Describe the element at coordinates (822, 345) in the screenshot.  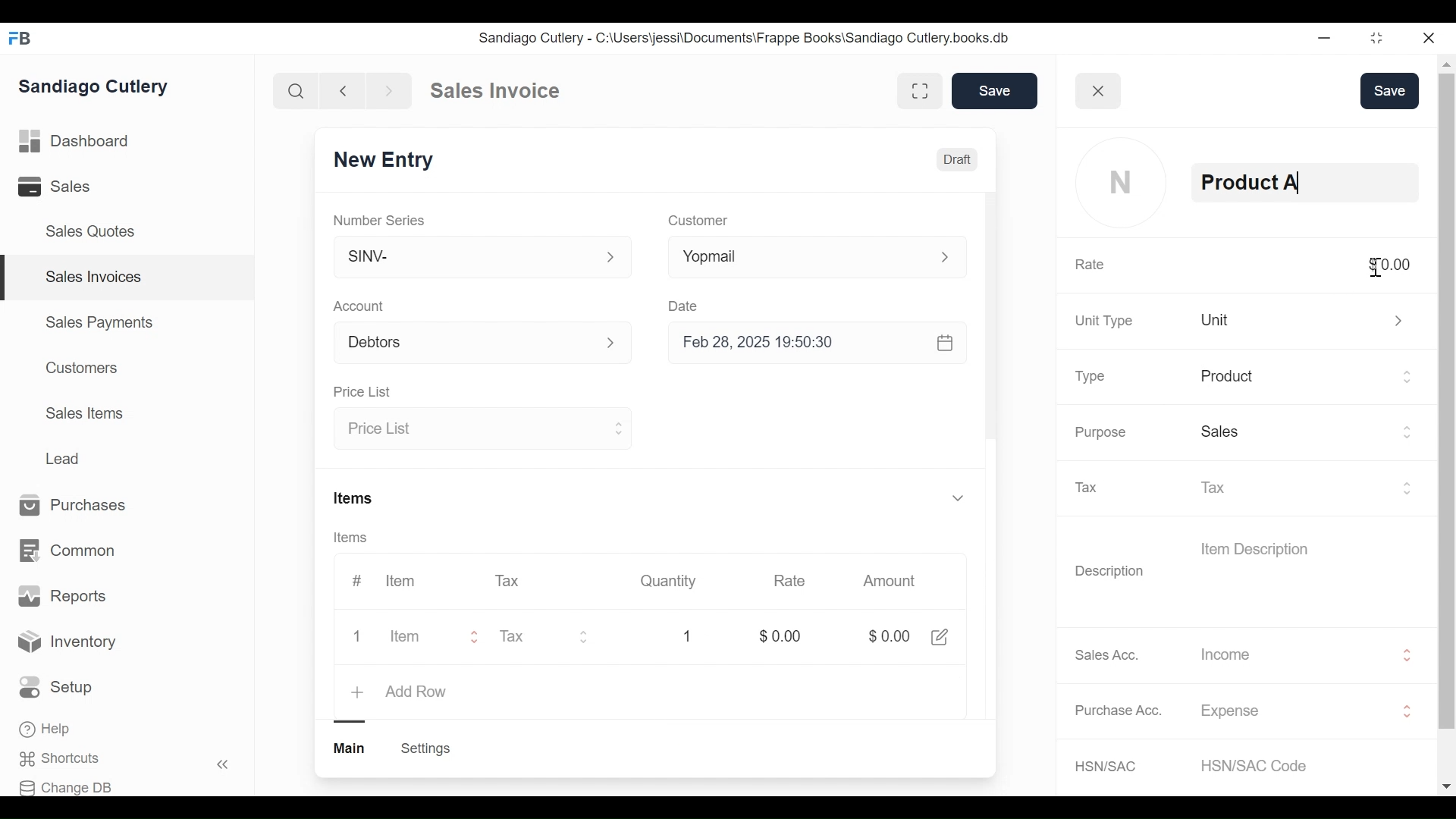
I see `Feb 28, 2025 19:50:30 &` at that location.